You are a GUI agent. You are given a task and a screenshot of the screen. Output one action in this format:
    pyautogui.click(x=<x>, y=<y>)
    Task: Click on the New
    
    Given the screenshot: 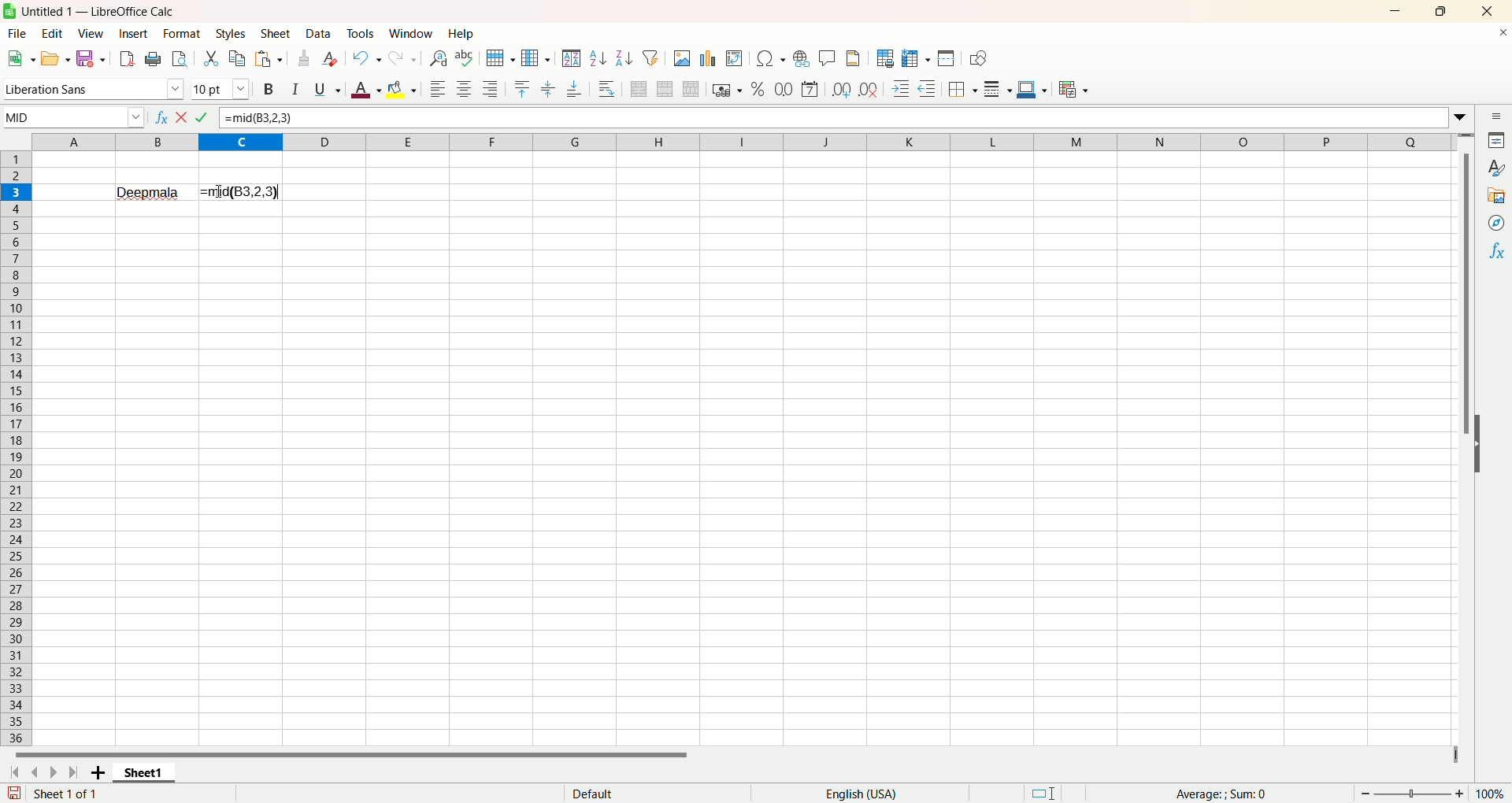 What is the action you would take?
    pyautogui.click(x=20, y=57)
    